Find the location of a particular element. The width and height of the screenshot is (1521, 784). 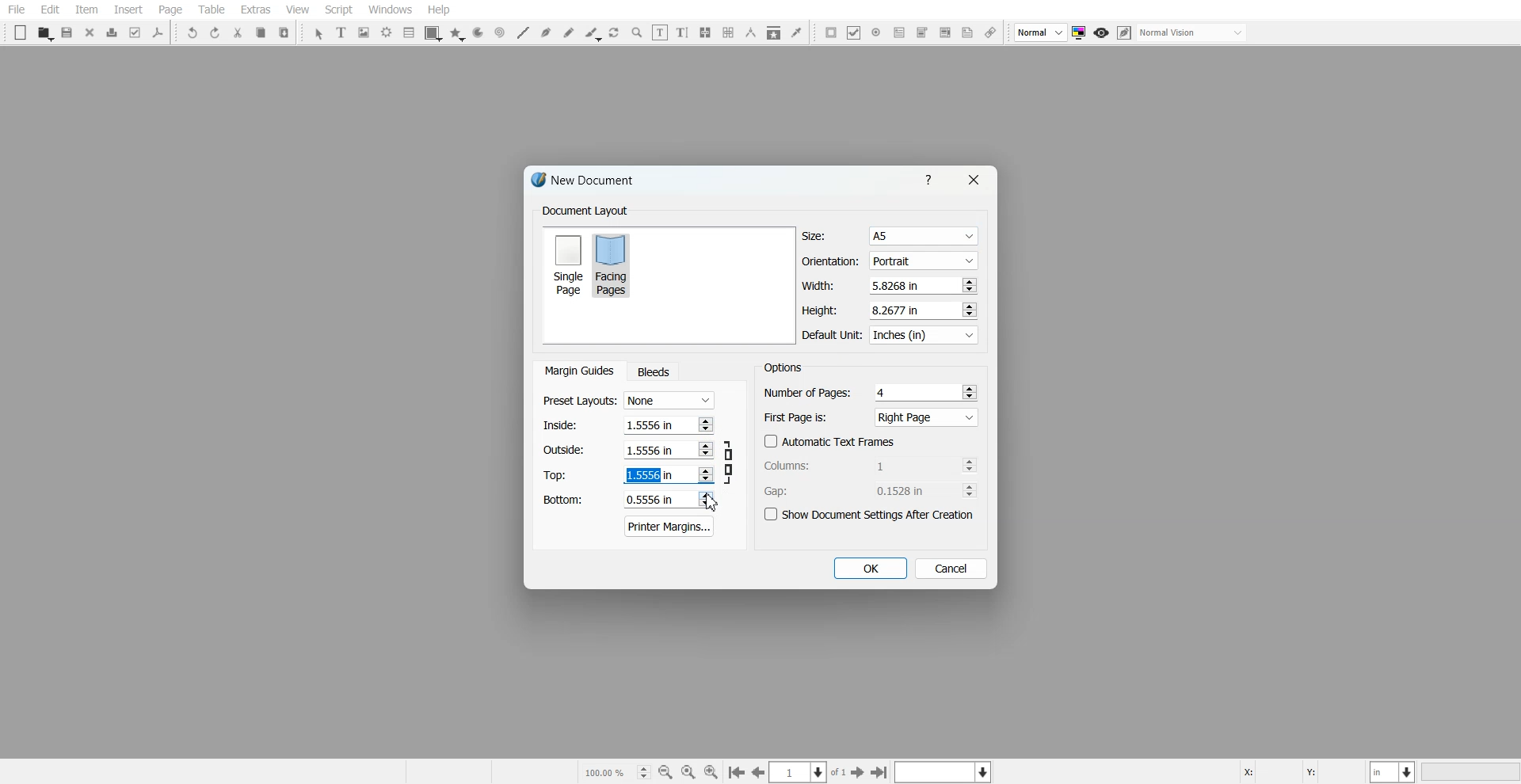

Page is located at coordinates (170, 10).